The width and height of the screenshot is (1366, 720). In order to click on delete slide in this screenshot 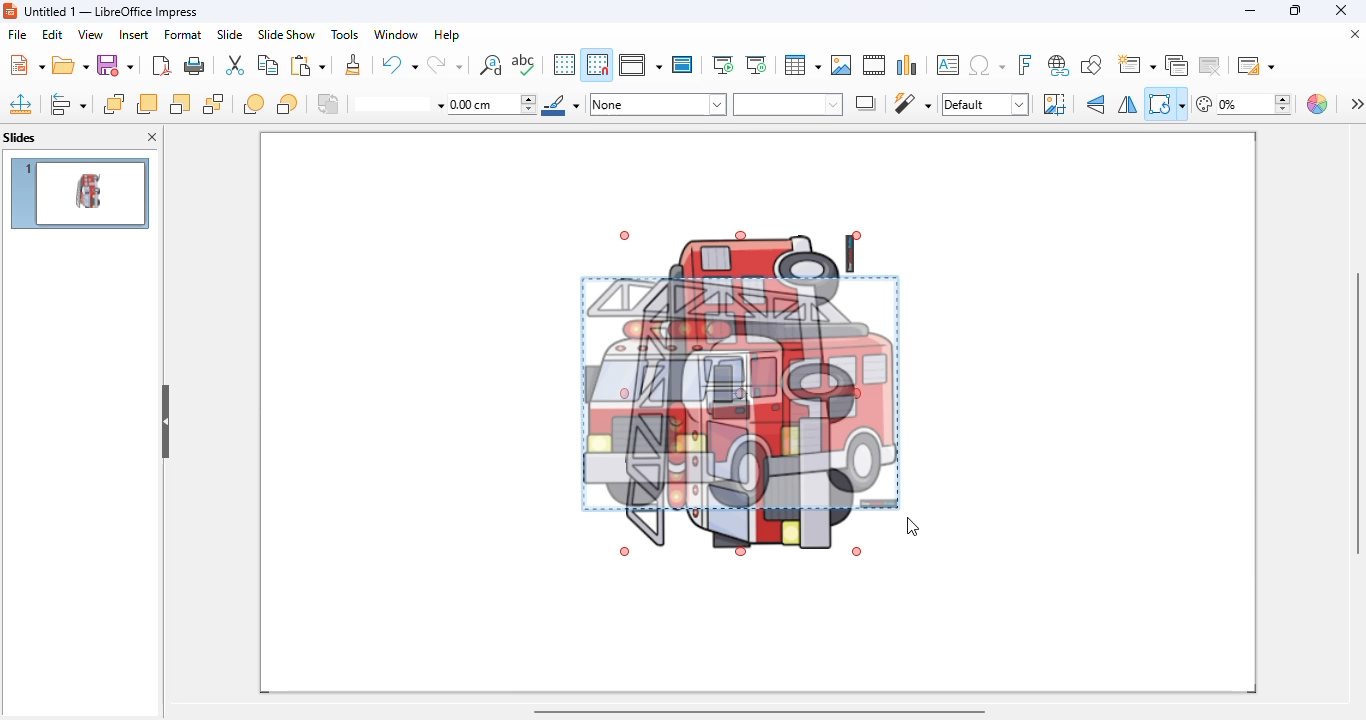, I will do `click(1210, 64)`.